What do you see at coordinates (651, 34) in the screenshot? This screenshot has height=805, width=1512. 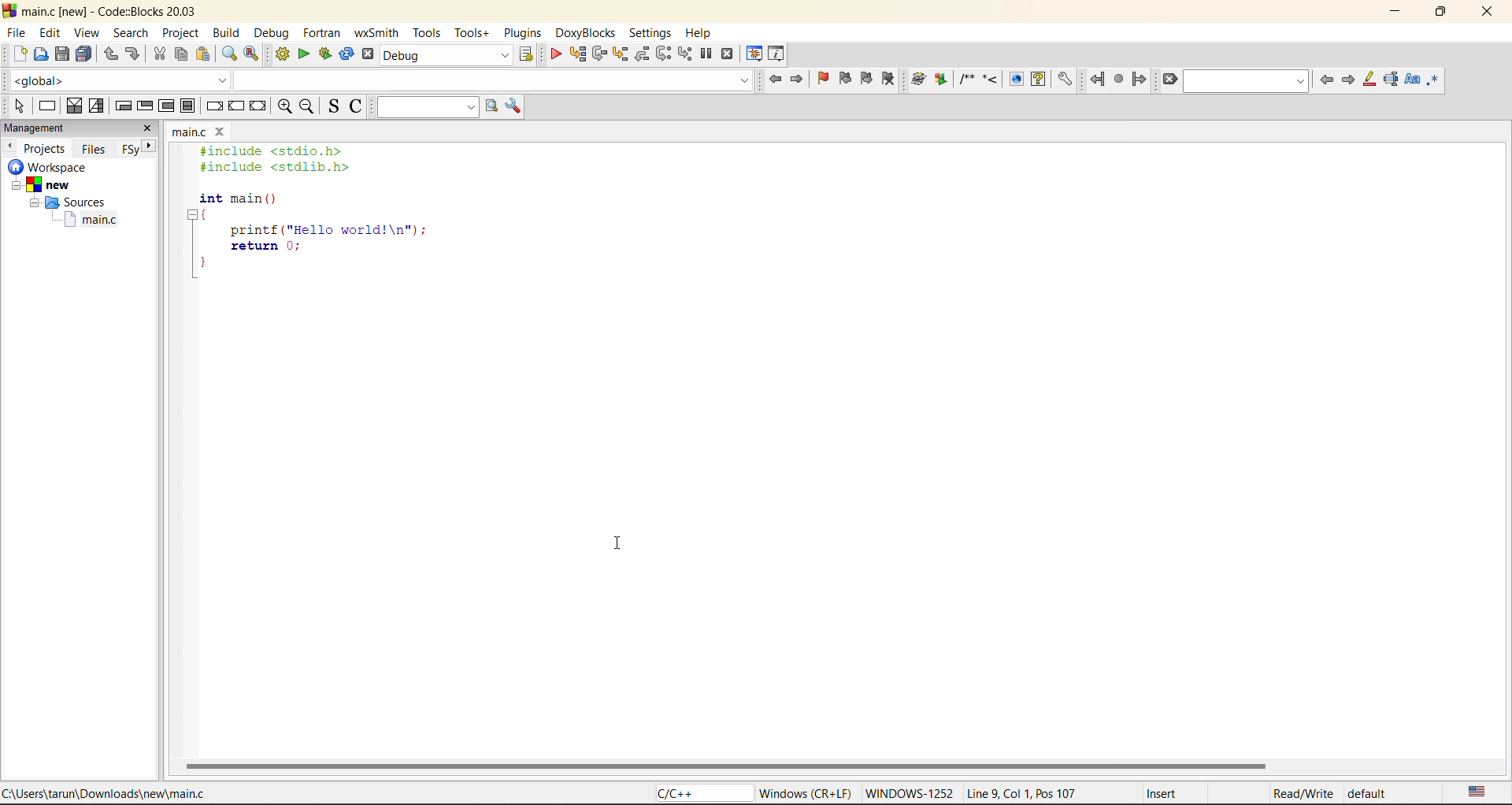 I see `settings` at bounding box center [651, 34].